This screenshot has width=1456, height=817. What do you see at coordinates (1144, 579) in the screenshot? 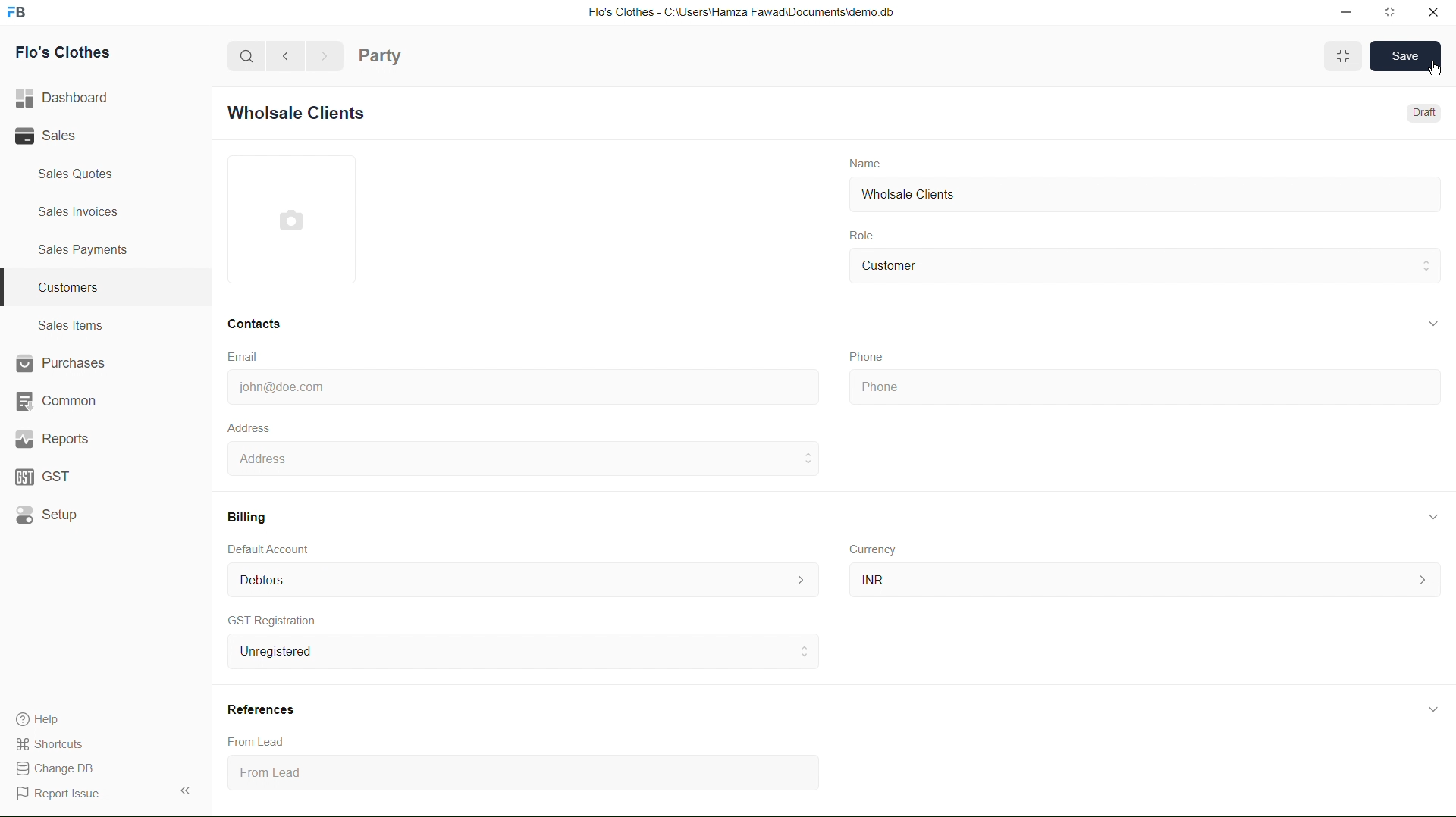
I see `INR` at bounding box center [1144, 579].